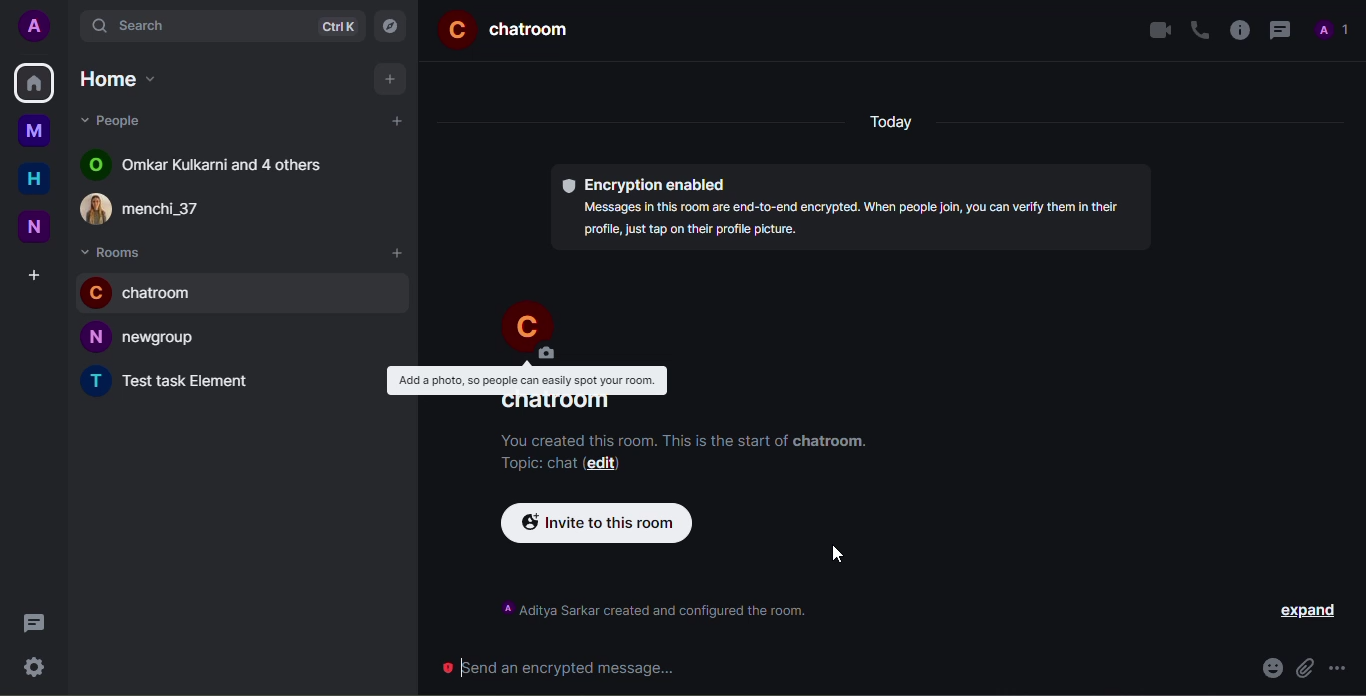  I want to click on people, so click(120, 120).